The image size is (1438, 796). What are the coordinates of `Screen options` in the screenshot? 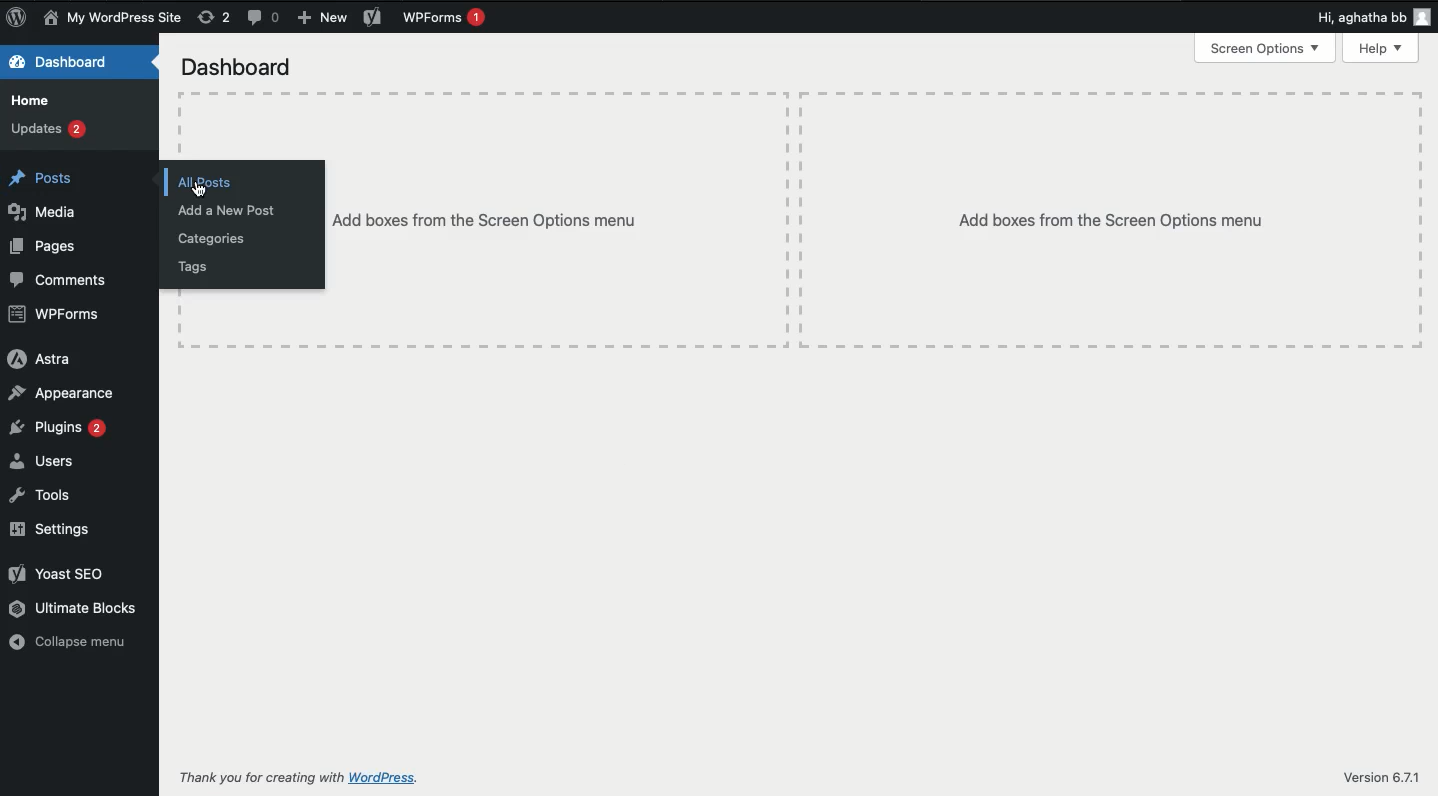 It's located at (1268, 47).